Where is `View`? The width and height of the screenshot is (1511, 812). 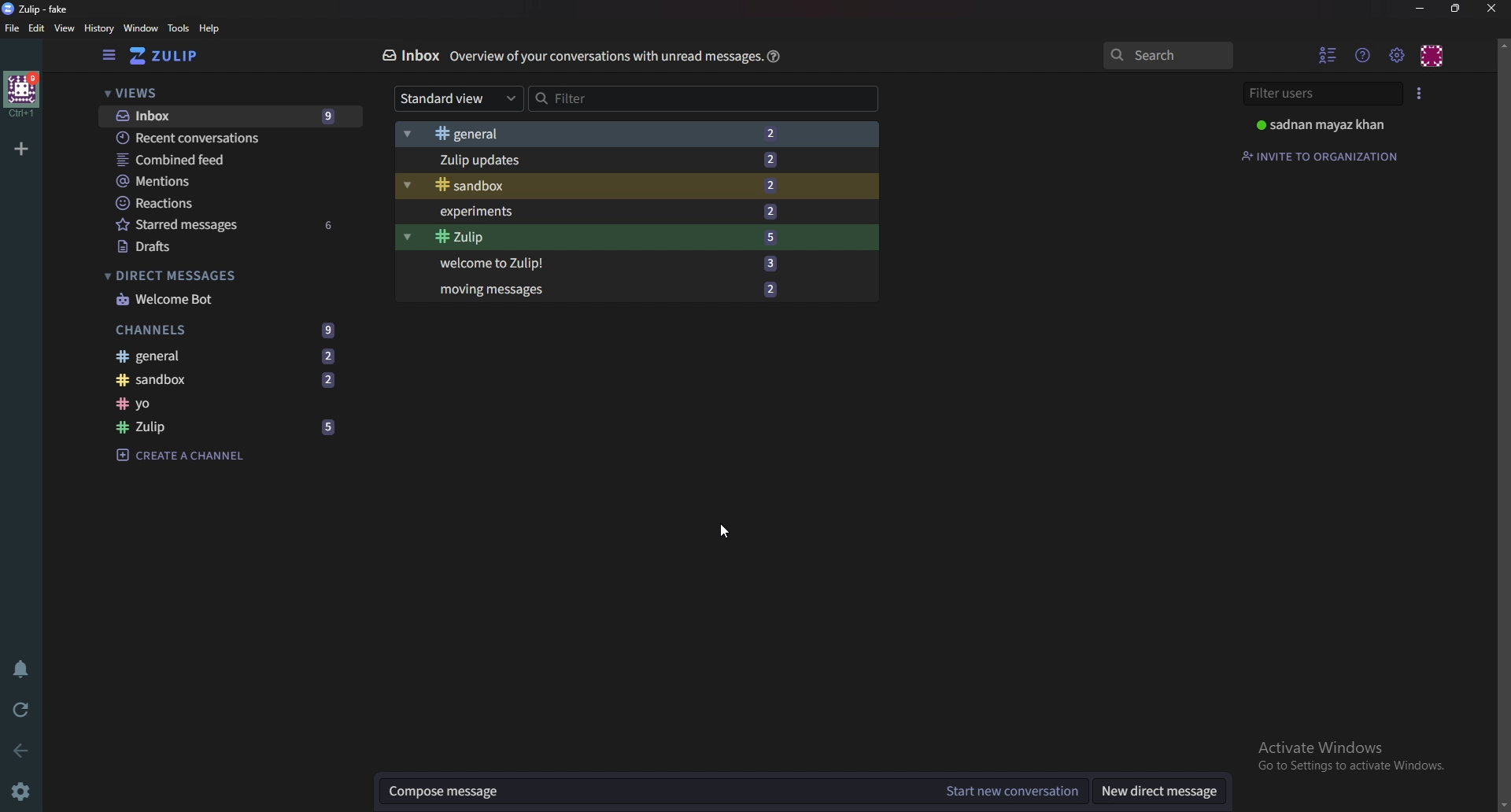 View is located at coordinates (65, 30).